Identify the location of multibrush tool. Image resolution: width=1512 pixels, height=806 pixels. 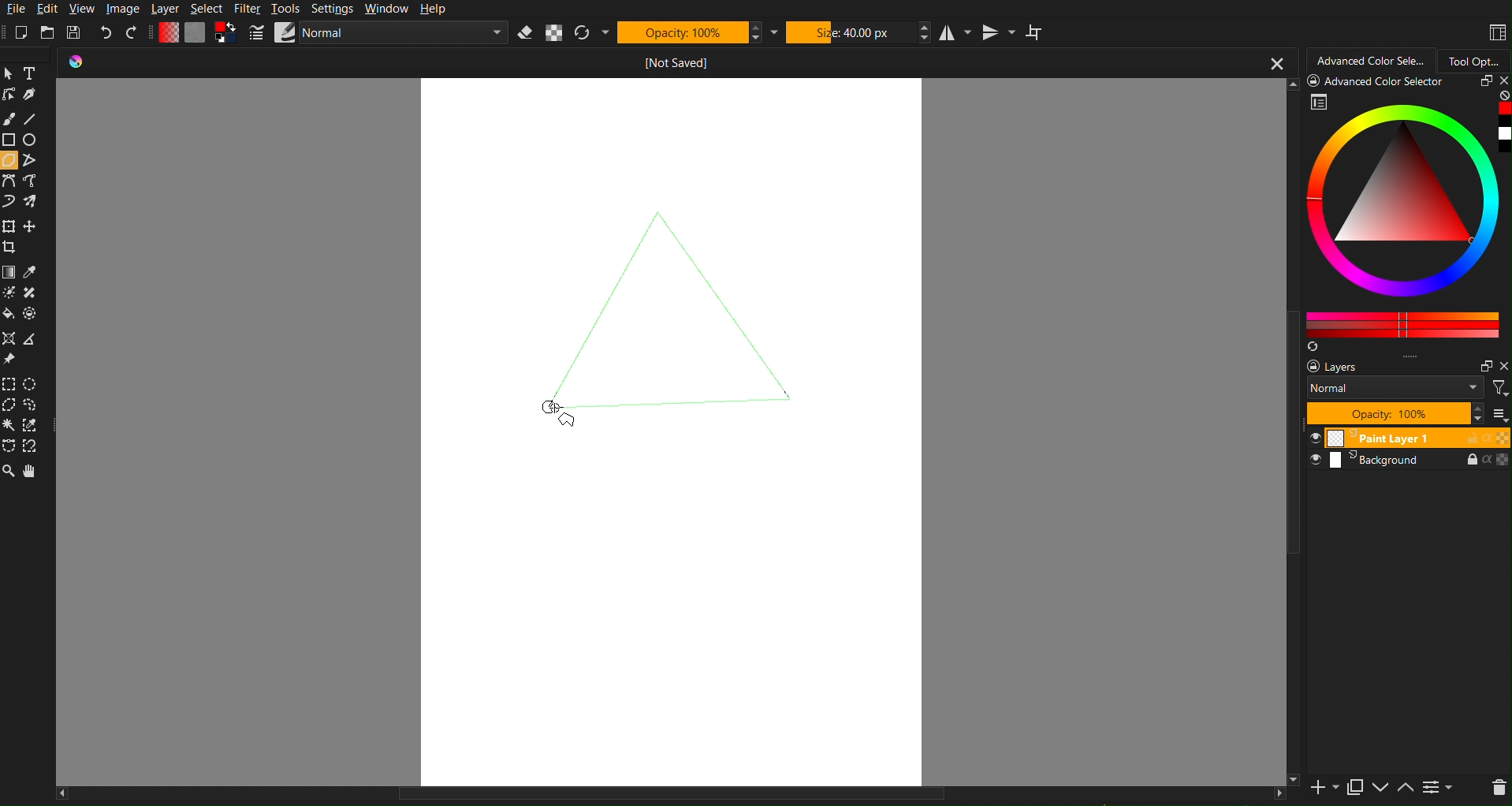
(34, 203).